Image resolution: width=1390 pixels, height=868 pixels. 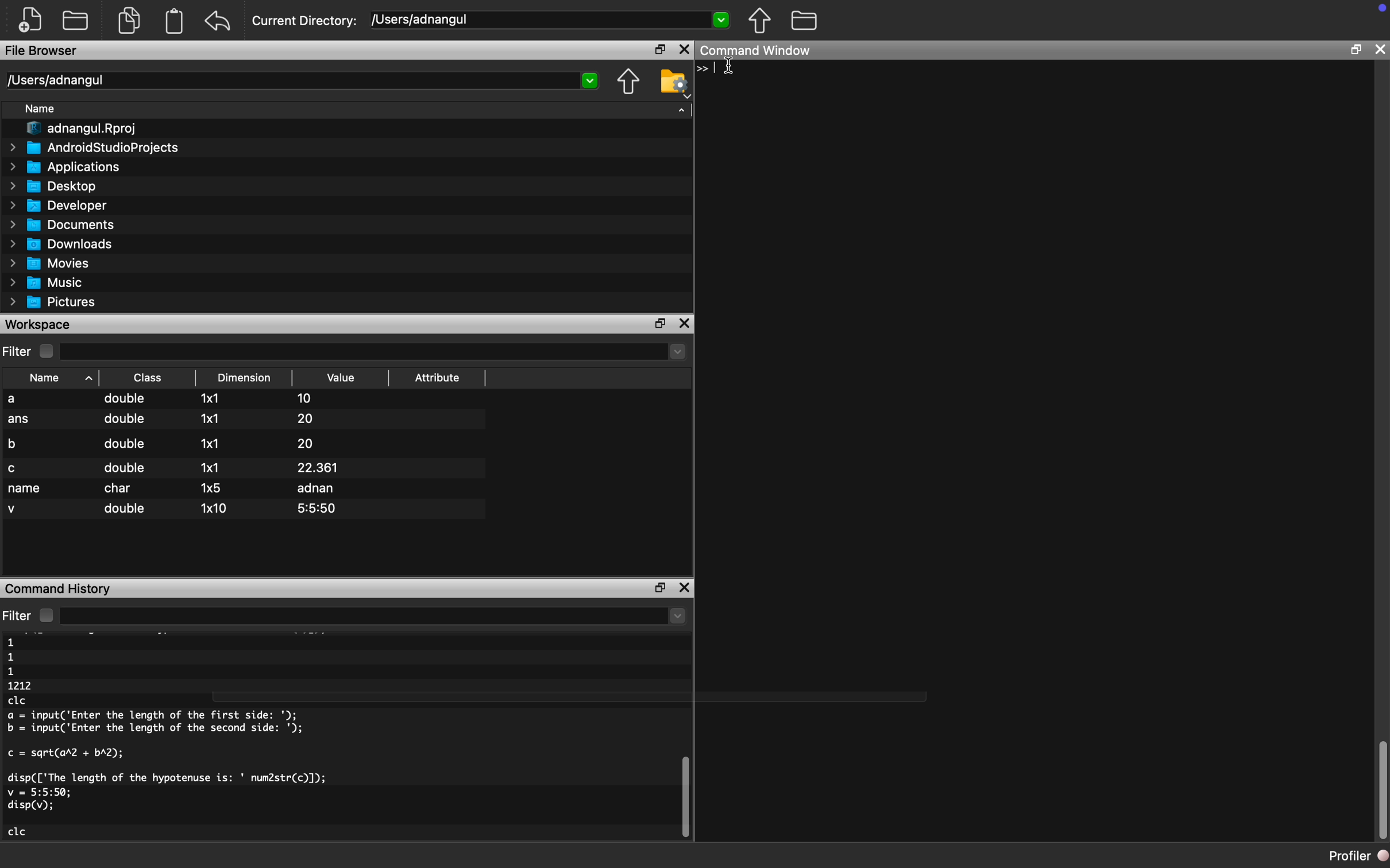 I want to click on 20, so click(x=307, y=418).